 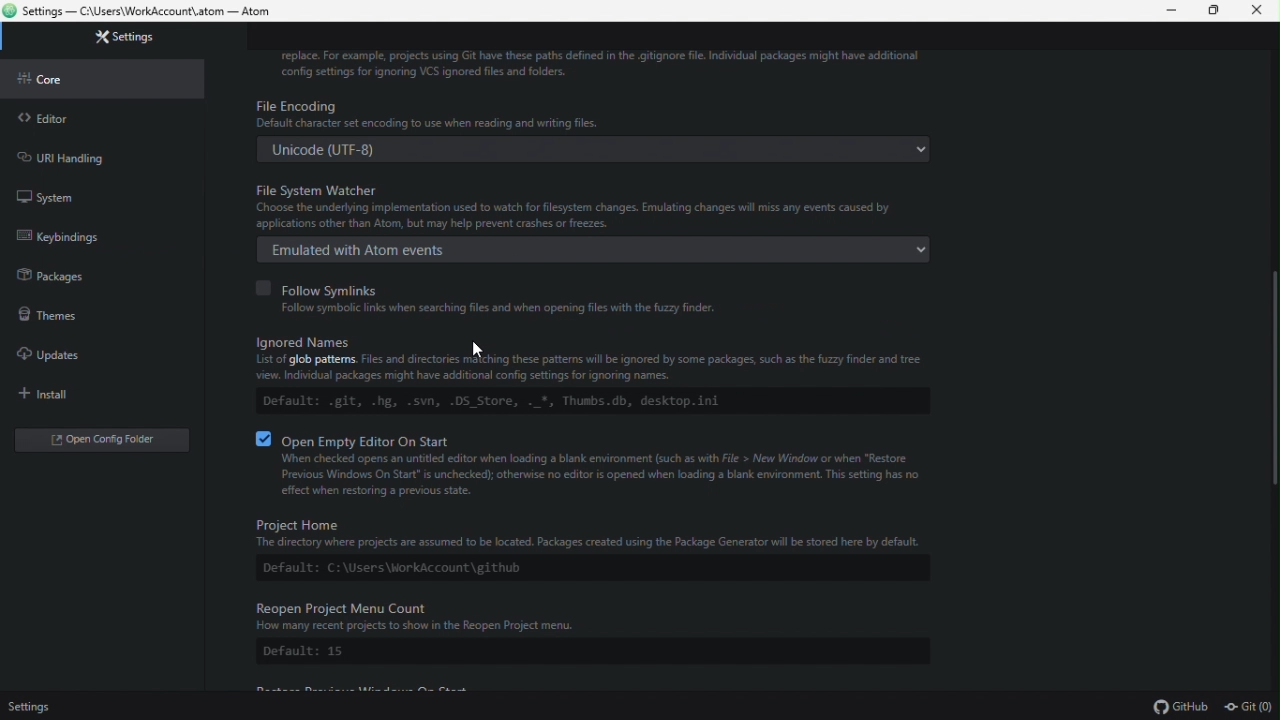 I want to click on ‘Emulated with Atom events v, so click(x=592, y=249).